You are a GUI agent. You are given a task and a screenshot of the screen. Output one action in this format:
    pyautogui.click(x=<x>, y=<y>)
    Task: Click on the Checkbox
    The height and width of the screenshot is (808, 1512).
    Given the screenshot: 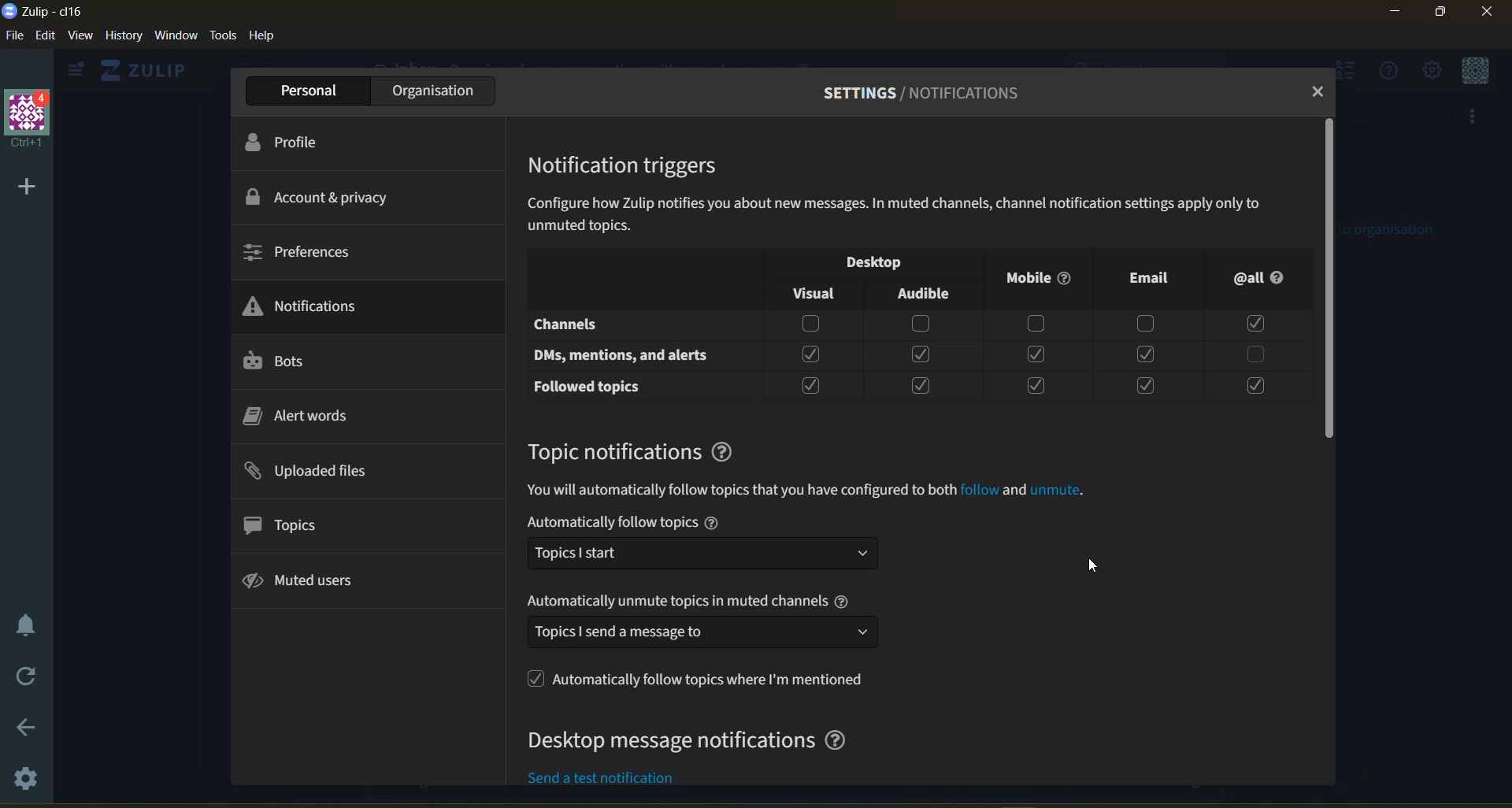 What is the action you would take?
    pyautogui.click(x=1256, y=387)
    